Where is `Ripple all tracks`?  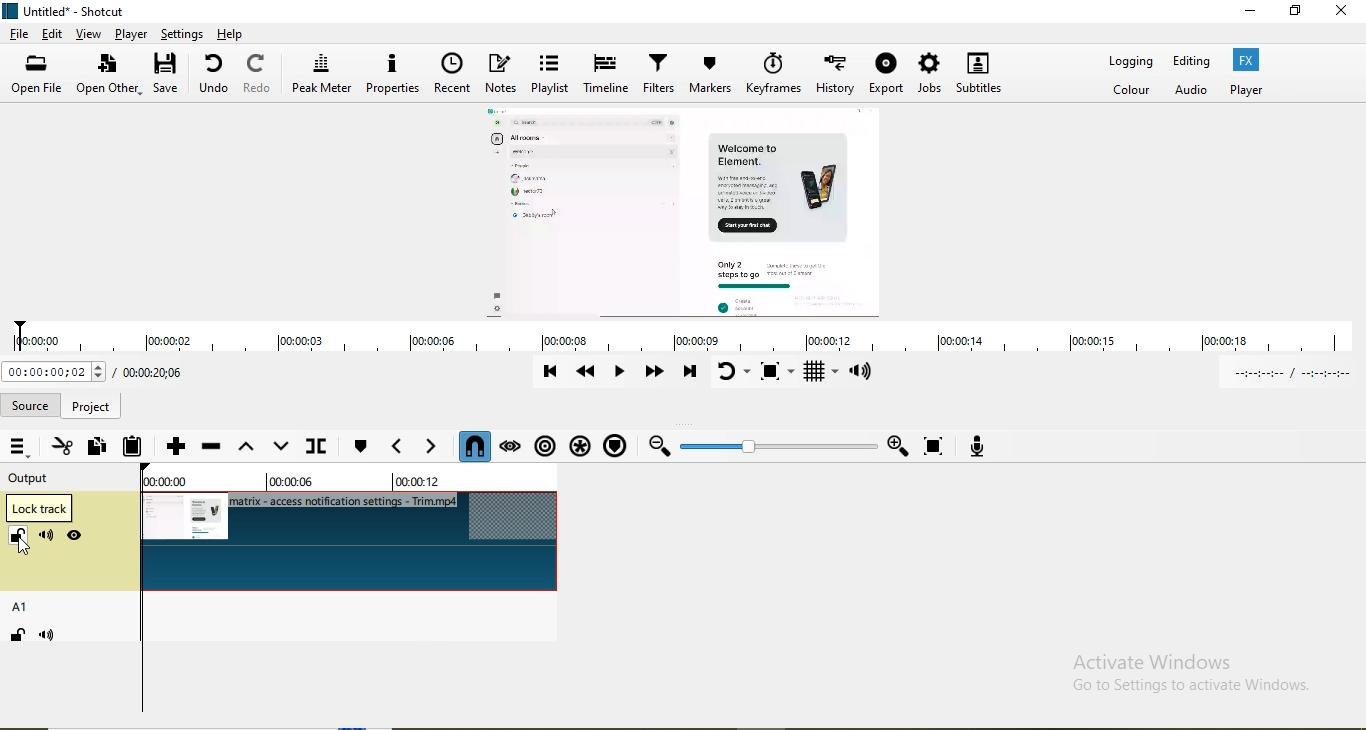 Ripple all tracks is located at coordinates (579, 444).